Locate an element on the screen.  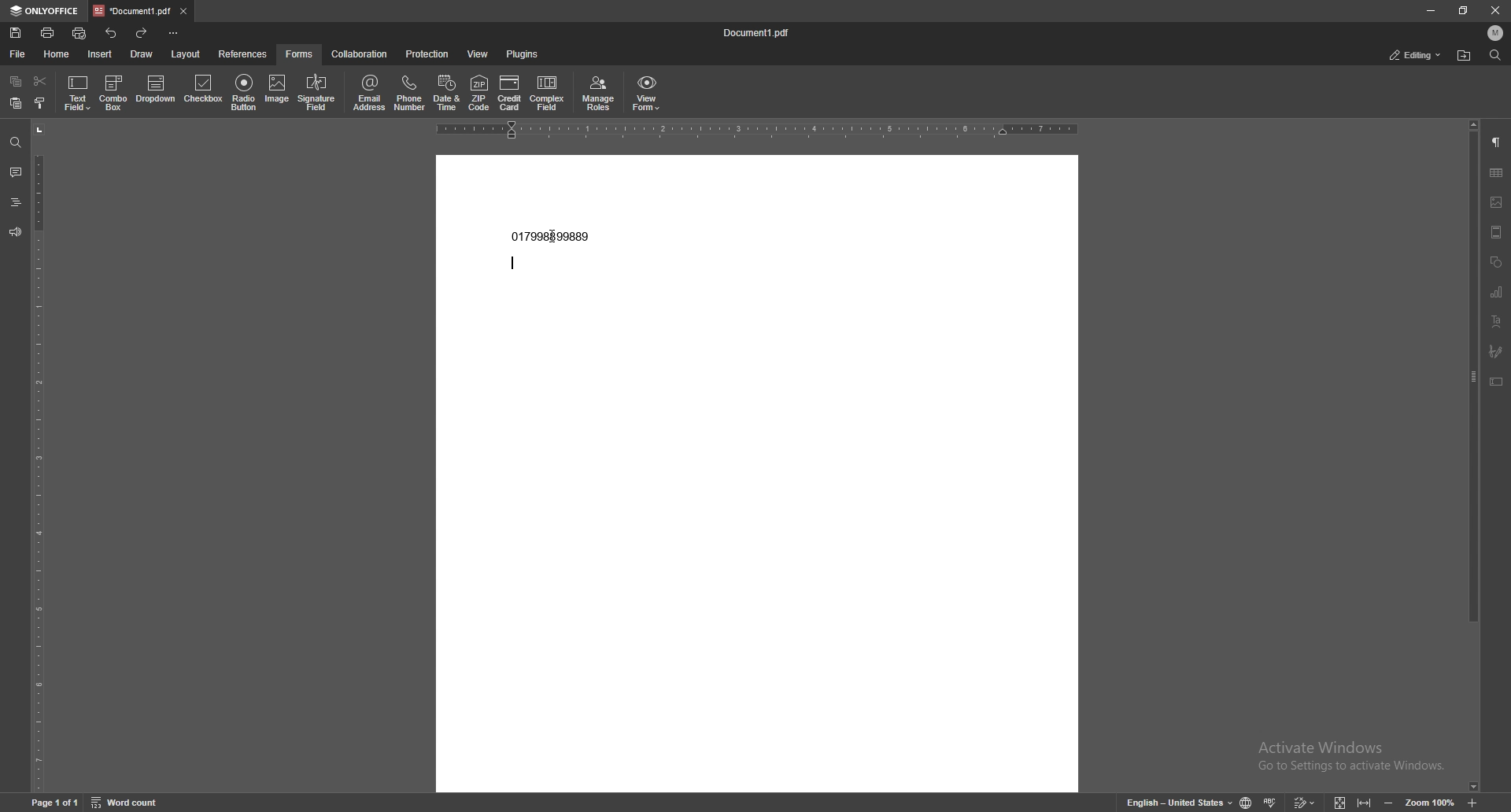
home is located at coordinates (58, 54).